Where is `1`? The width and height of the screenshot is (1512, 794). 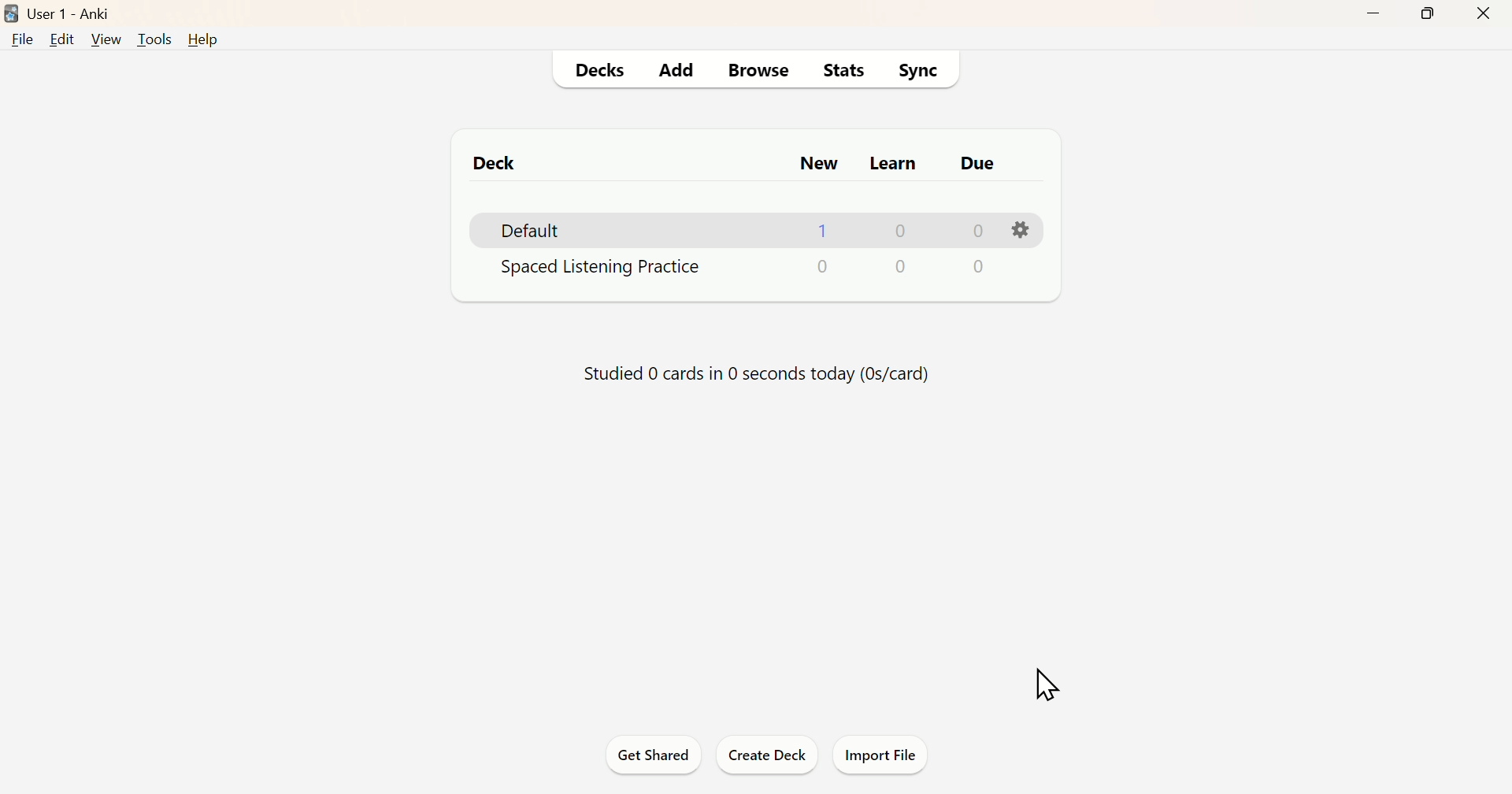
1 is located at coordinates (825, 231).